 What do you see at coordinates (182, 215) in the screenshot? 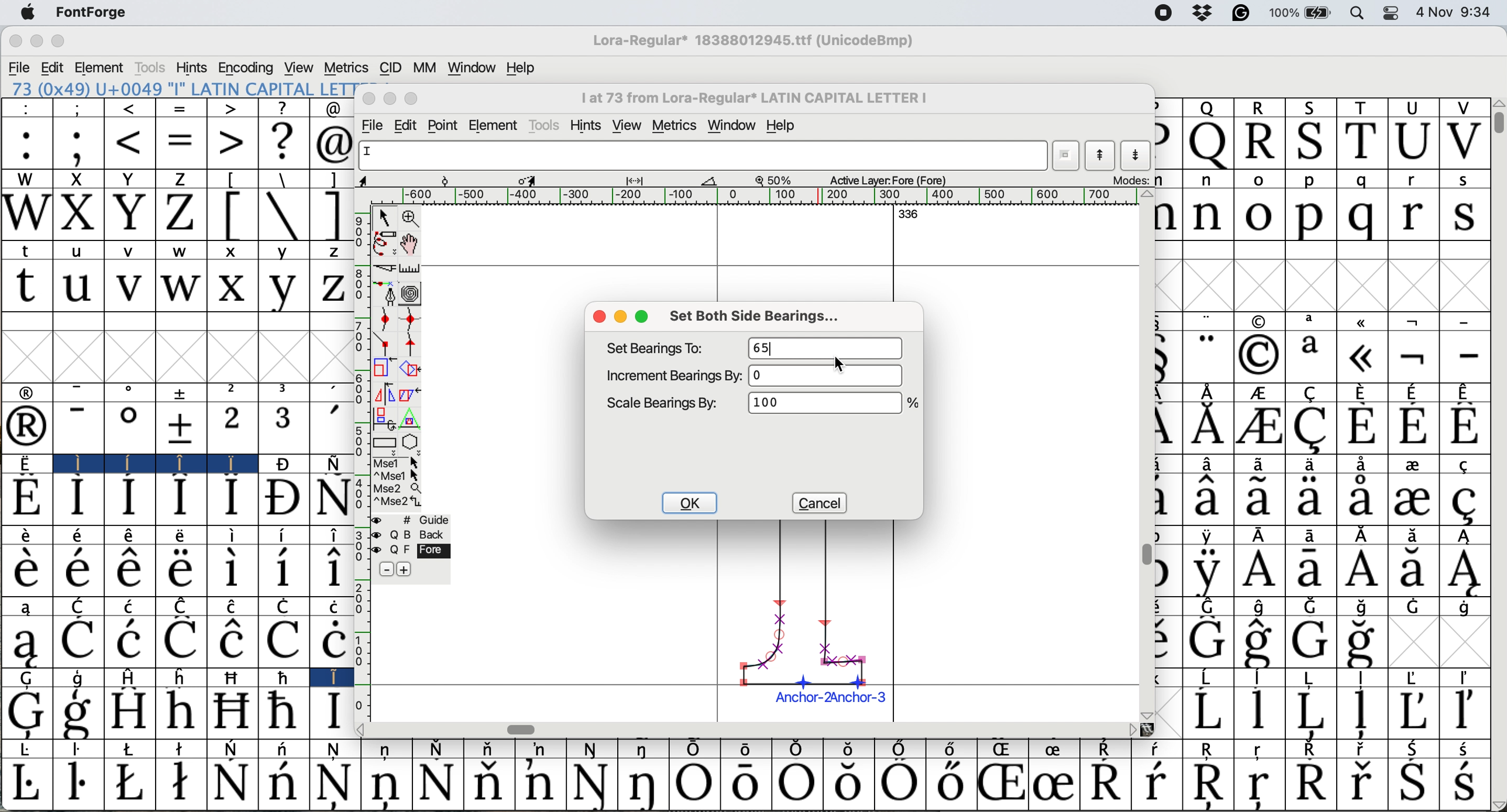
I see `Z` at bounding box center [182, 215].